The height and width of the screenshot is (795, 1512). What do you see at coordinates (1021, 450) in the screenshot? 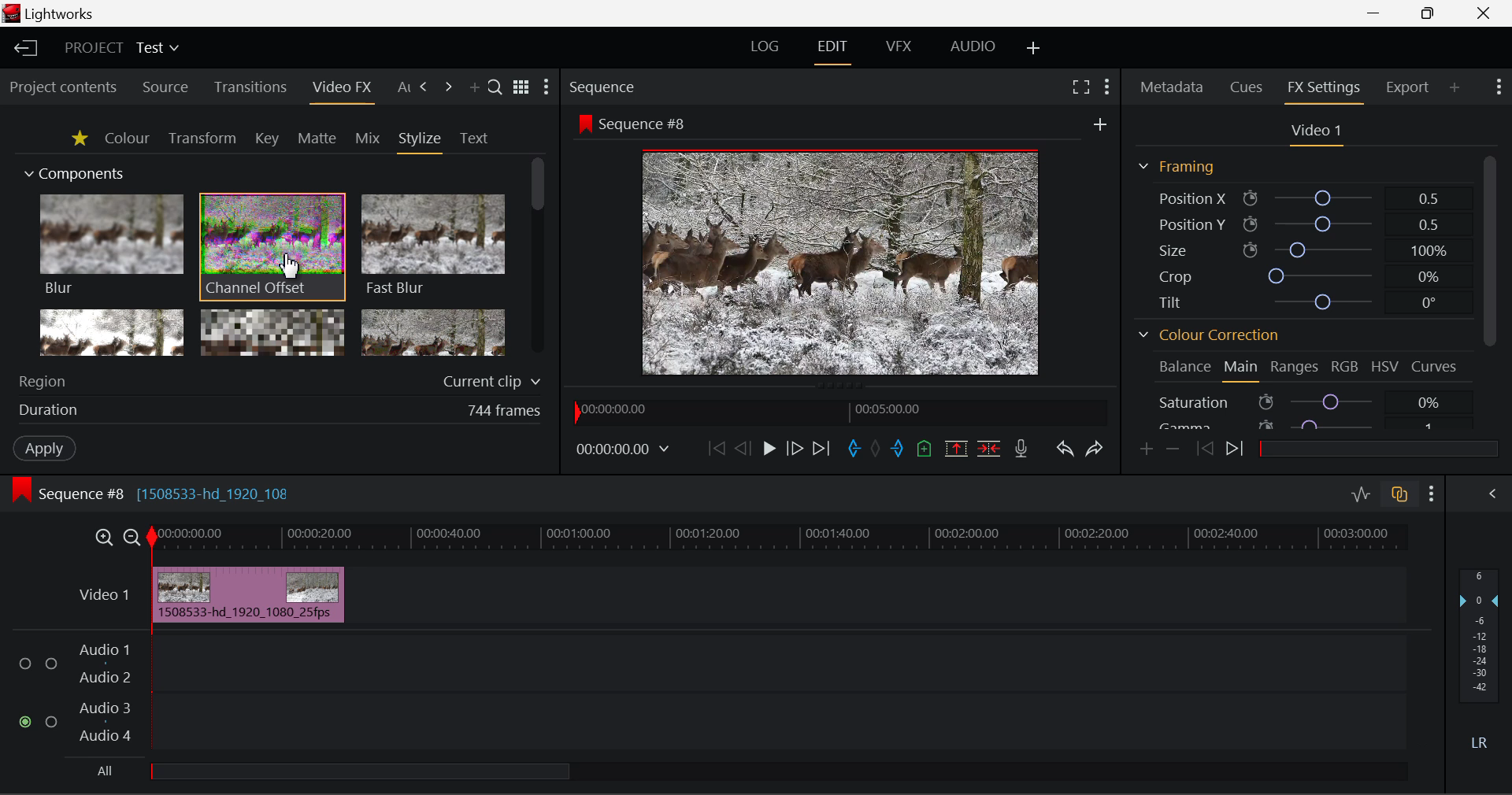
I see `Record Voiceover` at bounding box center [1021, 450].